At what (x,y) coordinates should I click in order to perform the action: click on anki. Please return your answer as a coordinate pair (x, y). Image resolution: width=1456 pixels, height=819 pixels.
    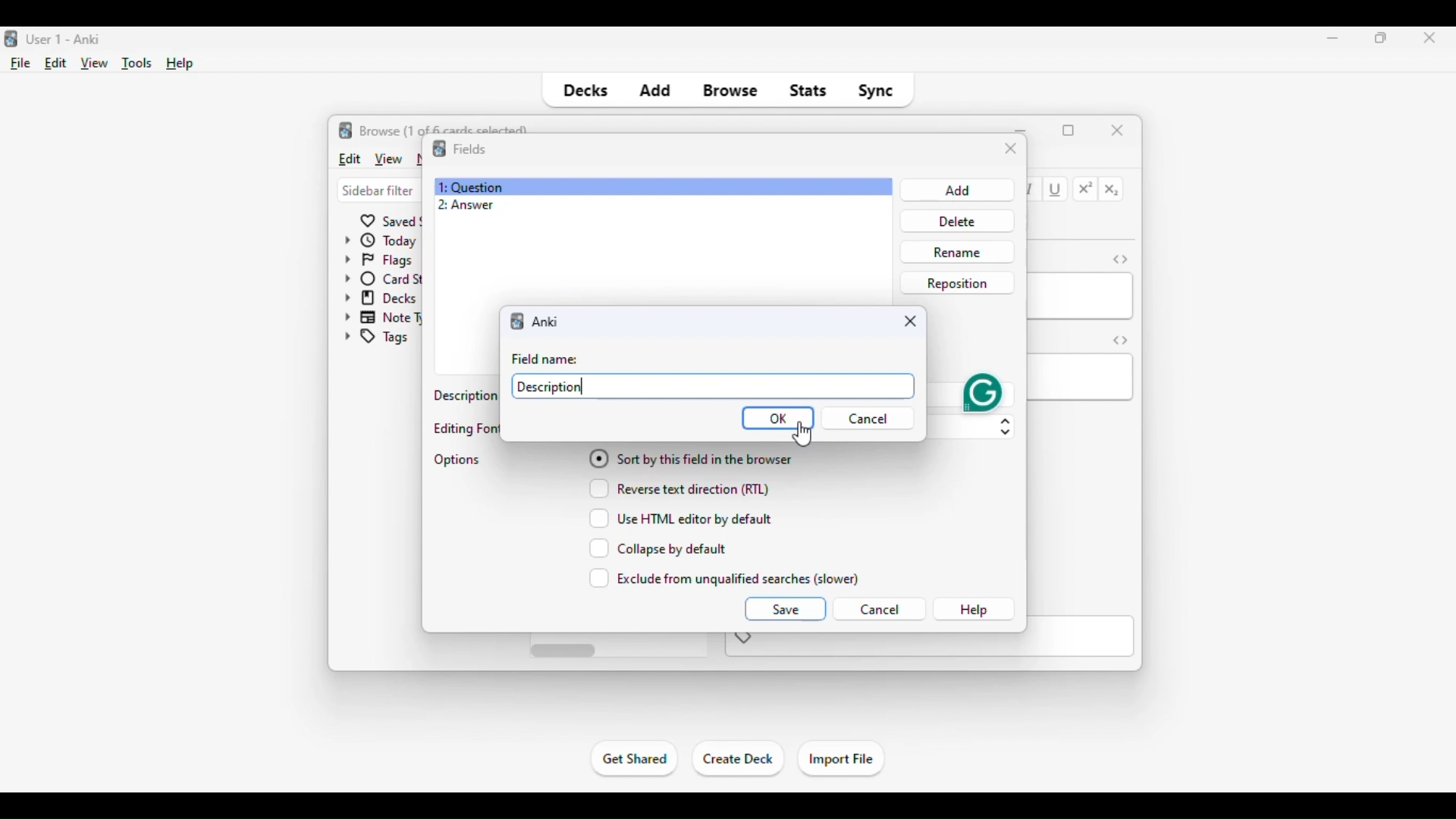
    Looking at the image, I should click on (519, 321).